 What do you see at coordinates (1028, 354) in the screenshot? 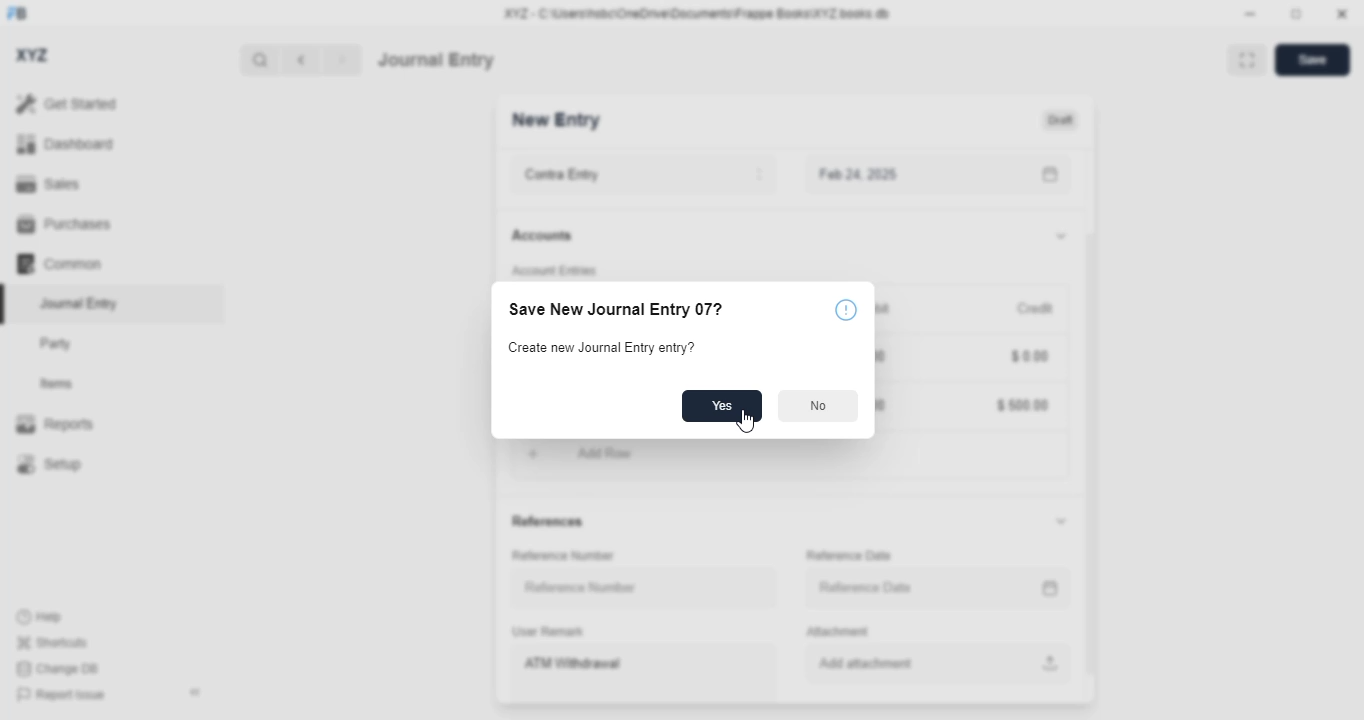
I see `$0.00` at bounding box center [1028, 354].